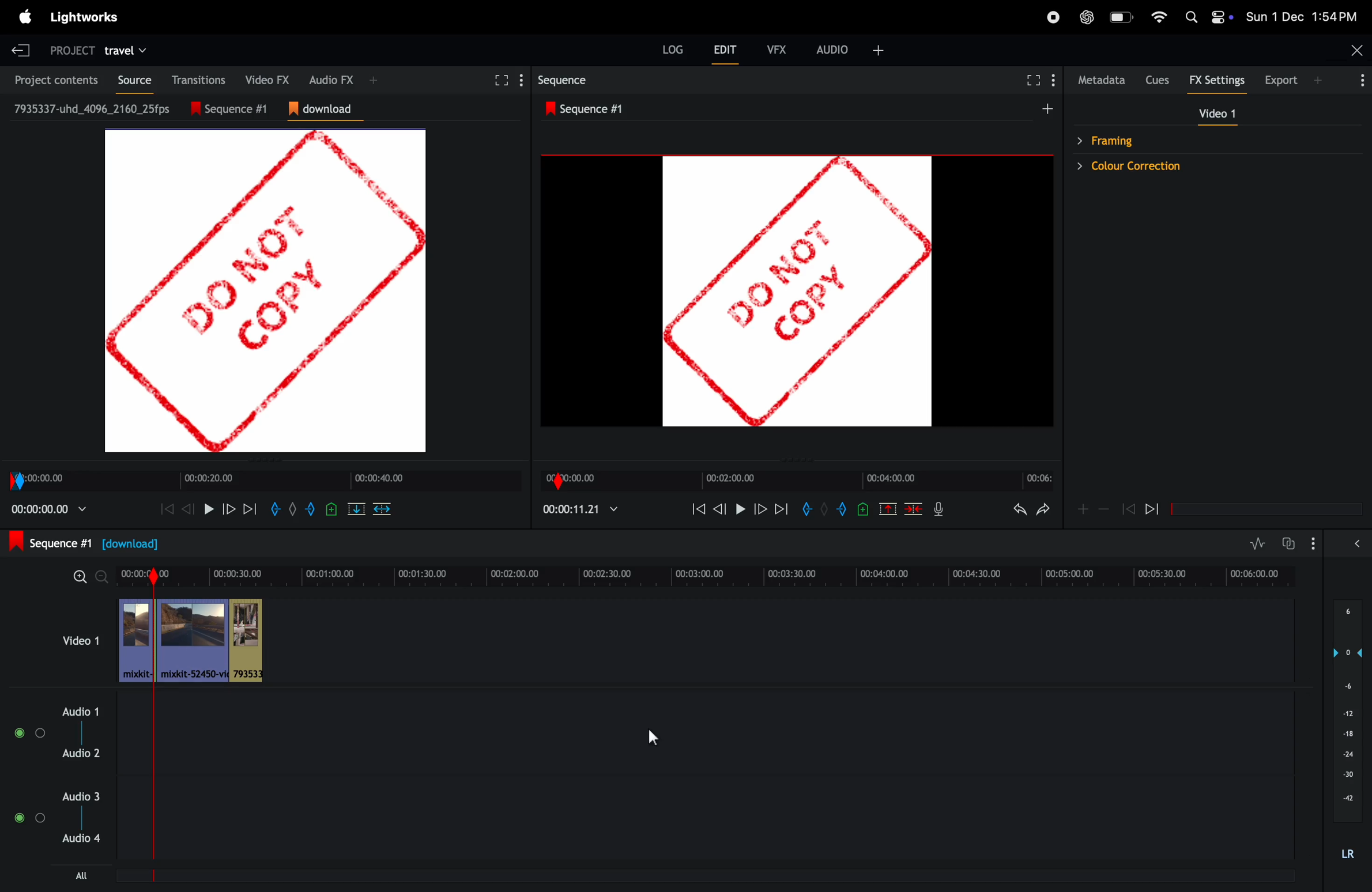 The image size is (1372, 892). What do you see at coordinates (265, 481) in the screenshot?
I see `time frame` at bounding box center [265, 481].